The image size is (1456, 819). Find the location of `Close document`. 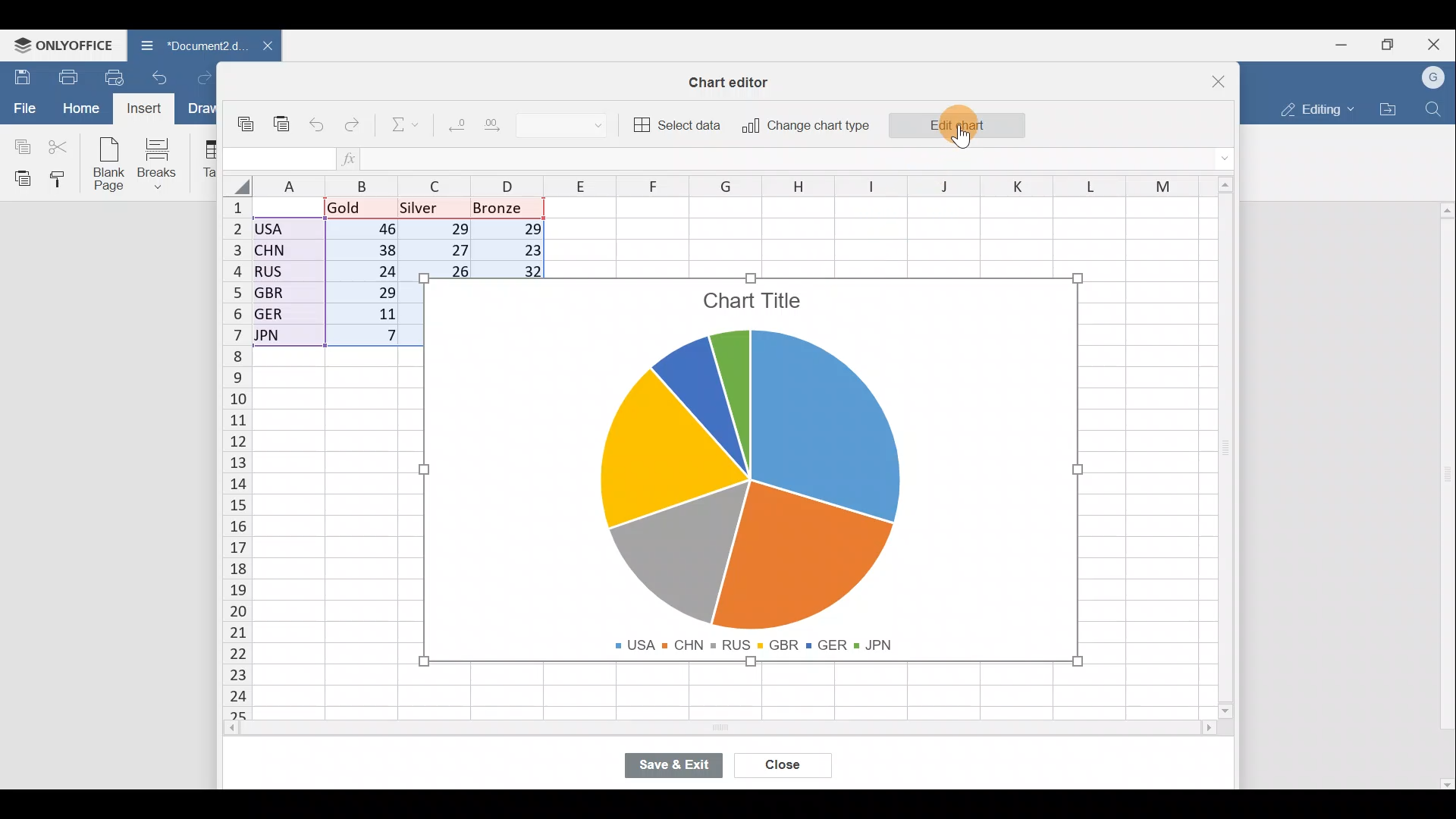

Close document is located at coordinates (265, 46).